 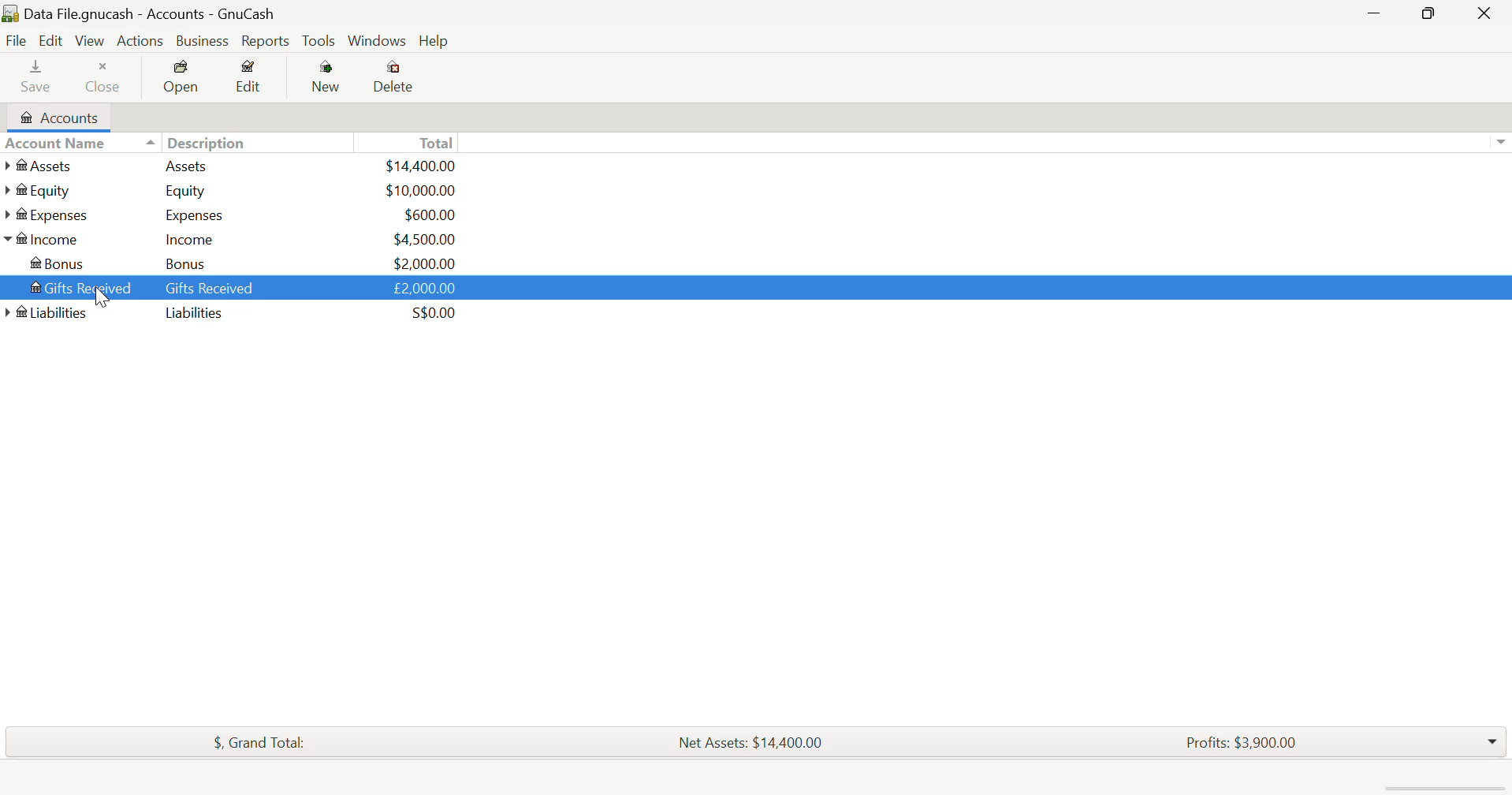 What do you see at coordinates (55, 144) in the screenshot?
I see `Account Name` at bounding box center [55, 144].